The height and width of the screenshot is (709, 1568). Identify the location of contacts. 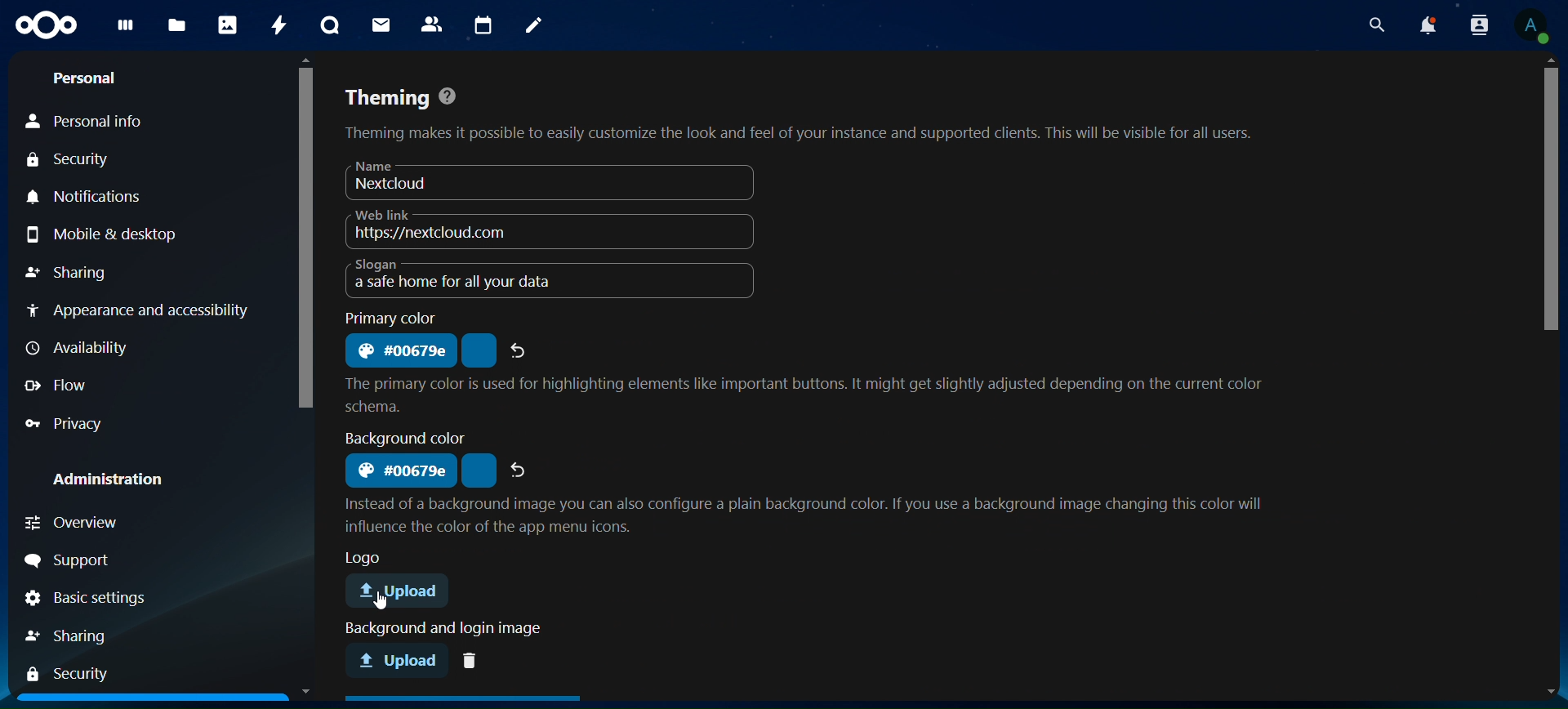
(432, 25).